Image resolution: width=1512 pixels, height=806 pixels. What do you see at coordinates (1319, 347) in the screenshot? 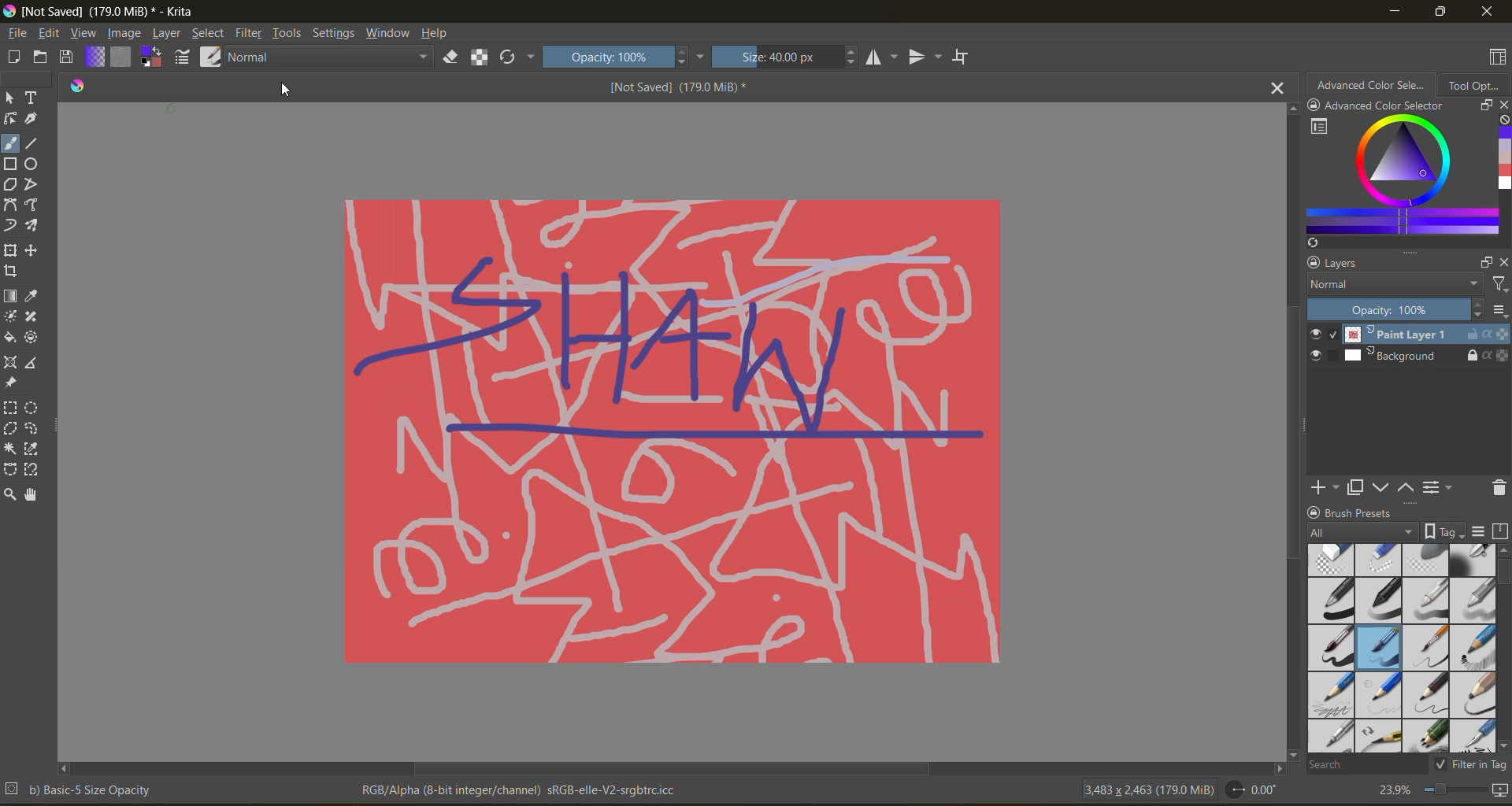
I see `preview` at bounding box center [1319, 347].